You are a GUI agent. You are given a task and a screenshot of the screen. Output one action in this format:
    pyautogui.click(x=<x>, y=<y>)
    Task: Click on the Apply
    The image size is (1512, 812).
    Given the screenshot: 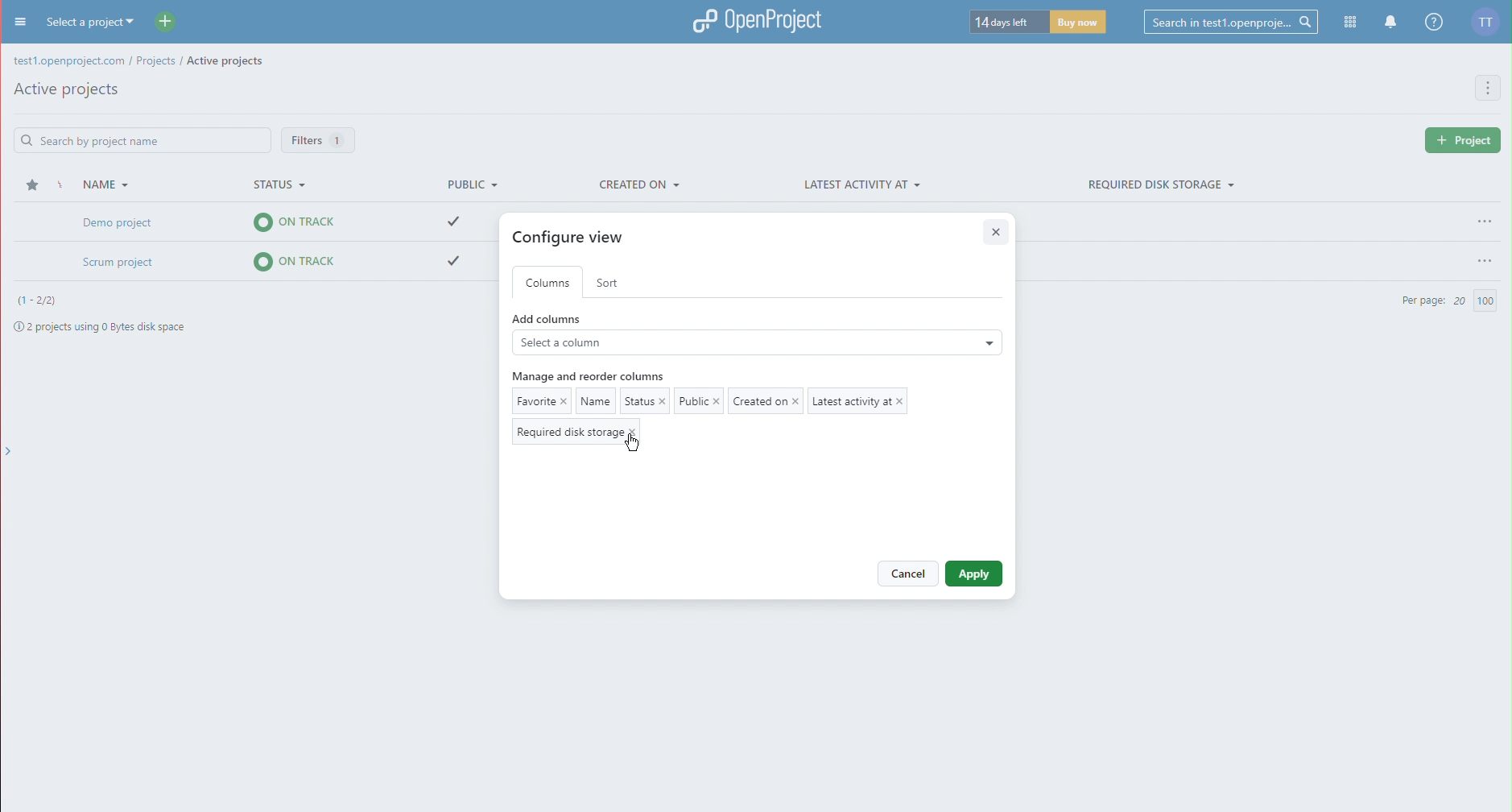 What is the action you would take?
    pyautogui.click(x=974, y=573)
    